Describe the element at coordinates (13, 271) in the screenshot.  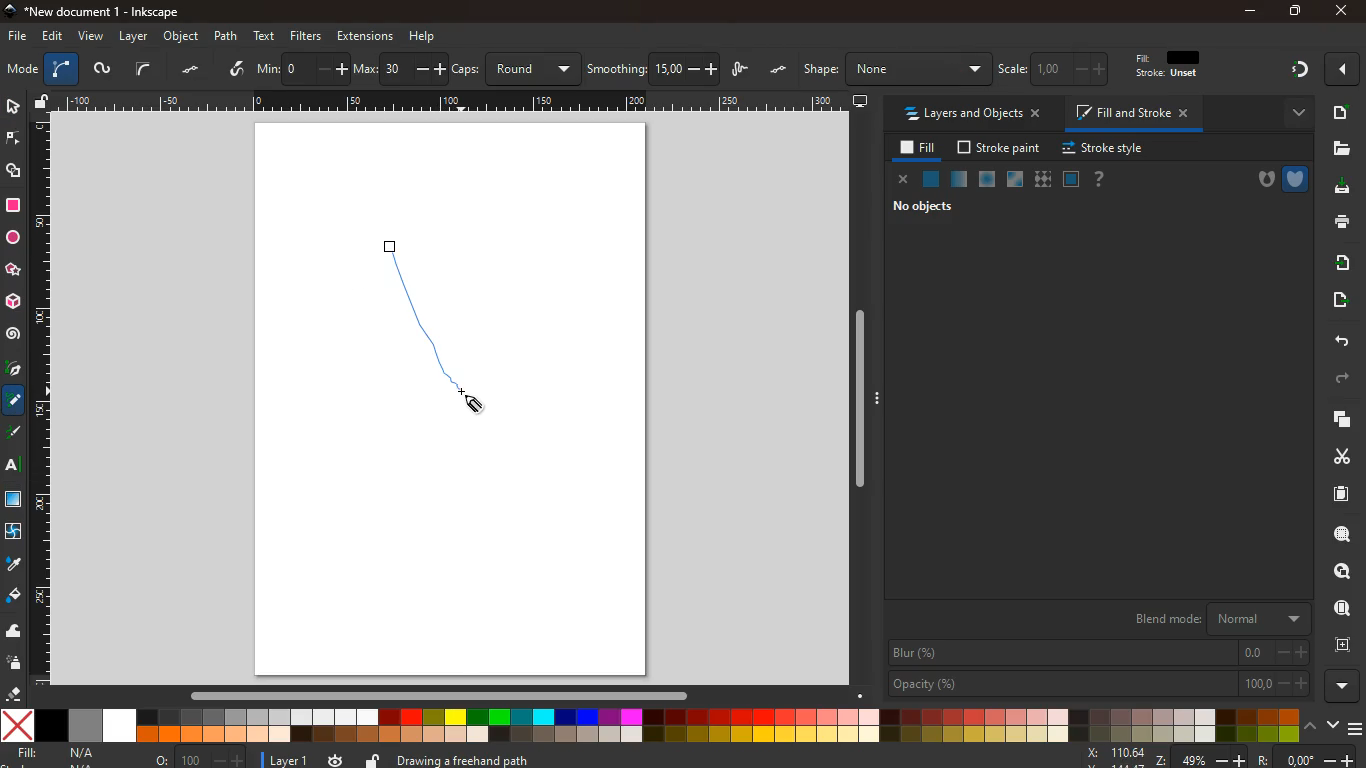
I see `star` at that location.